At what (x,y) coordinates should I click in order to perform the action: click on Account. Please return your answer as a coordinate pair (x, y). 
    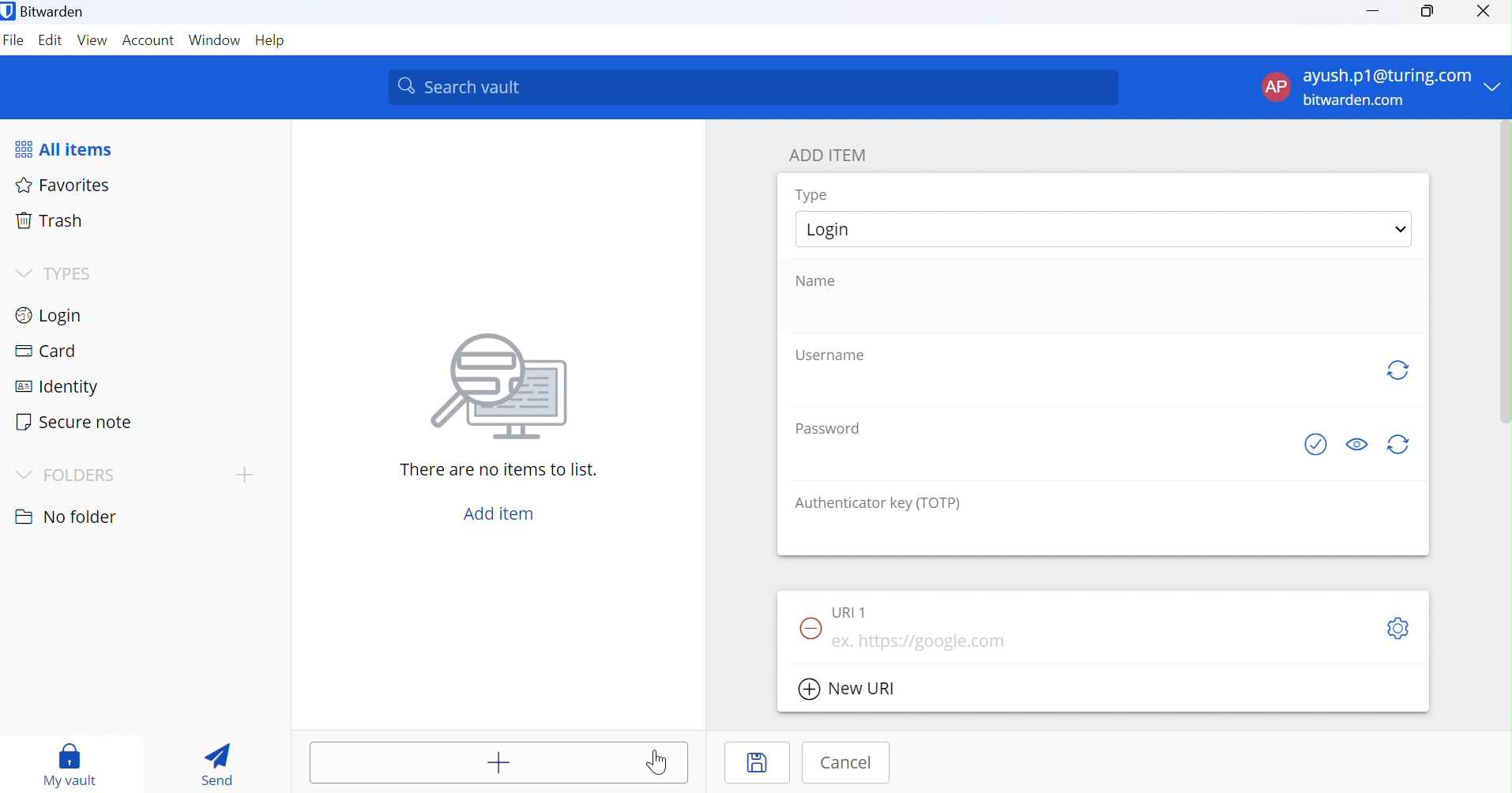
    Looking at the image, I should click on (149, 41).